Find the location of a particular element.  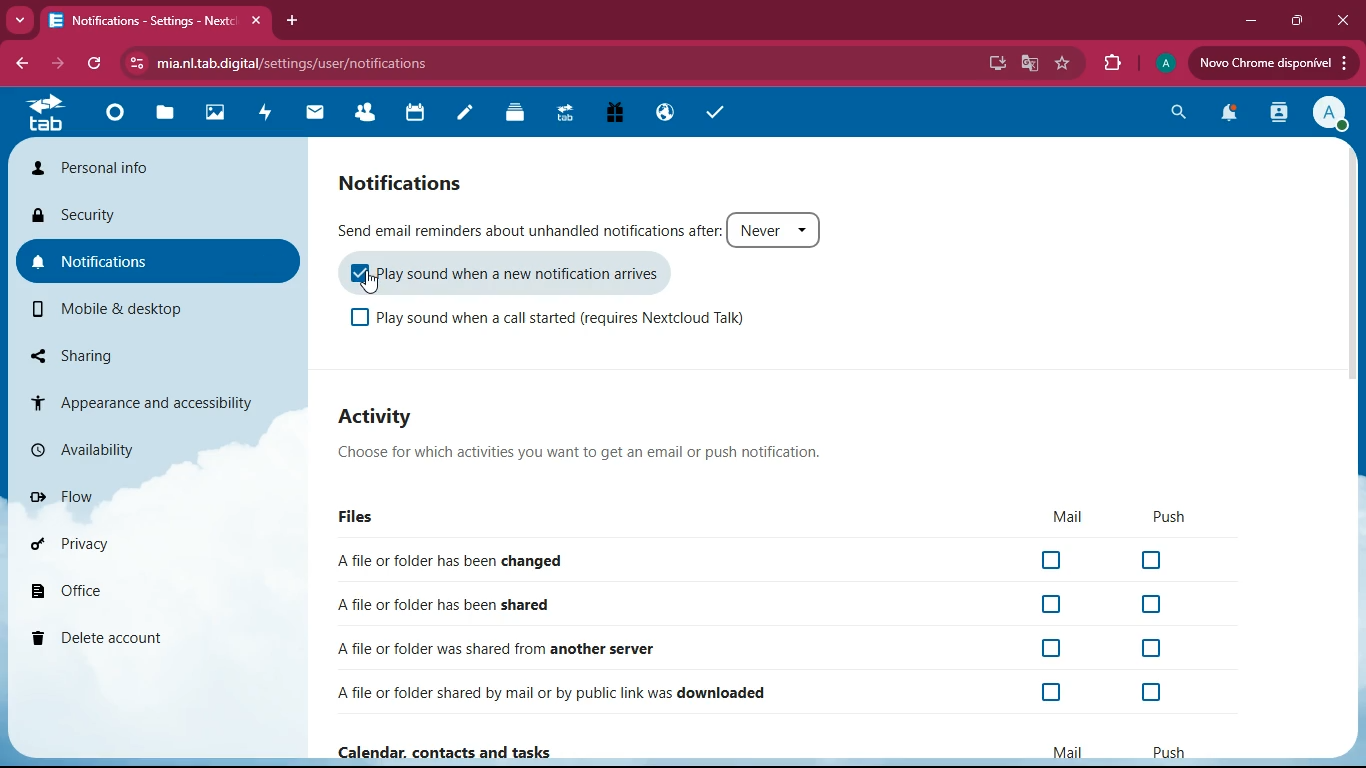

desktop is located at coordinates (992, 64).